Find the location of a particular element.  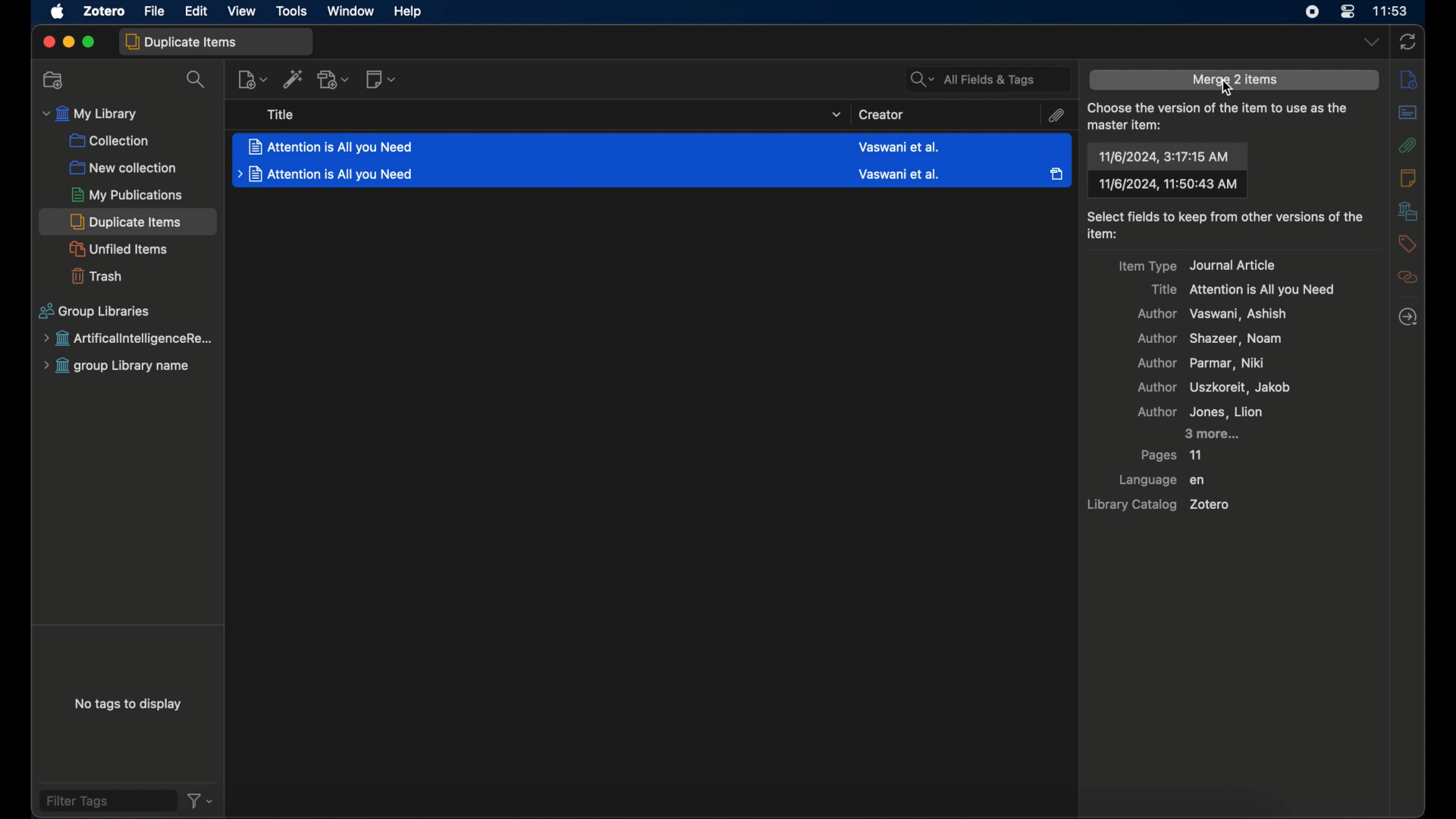

Title is located at coordinates (289, 115).